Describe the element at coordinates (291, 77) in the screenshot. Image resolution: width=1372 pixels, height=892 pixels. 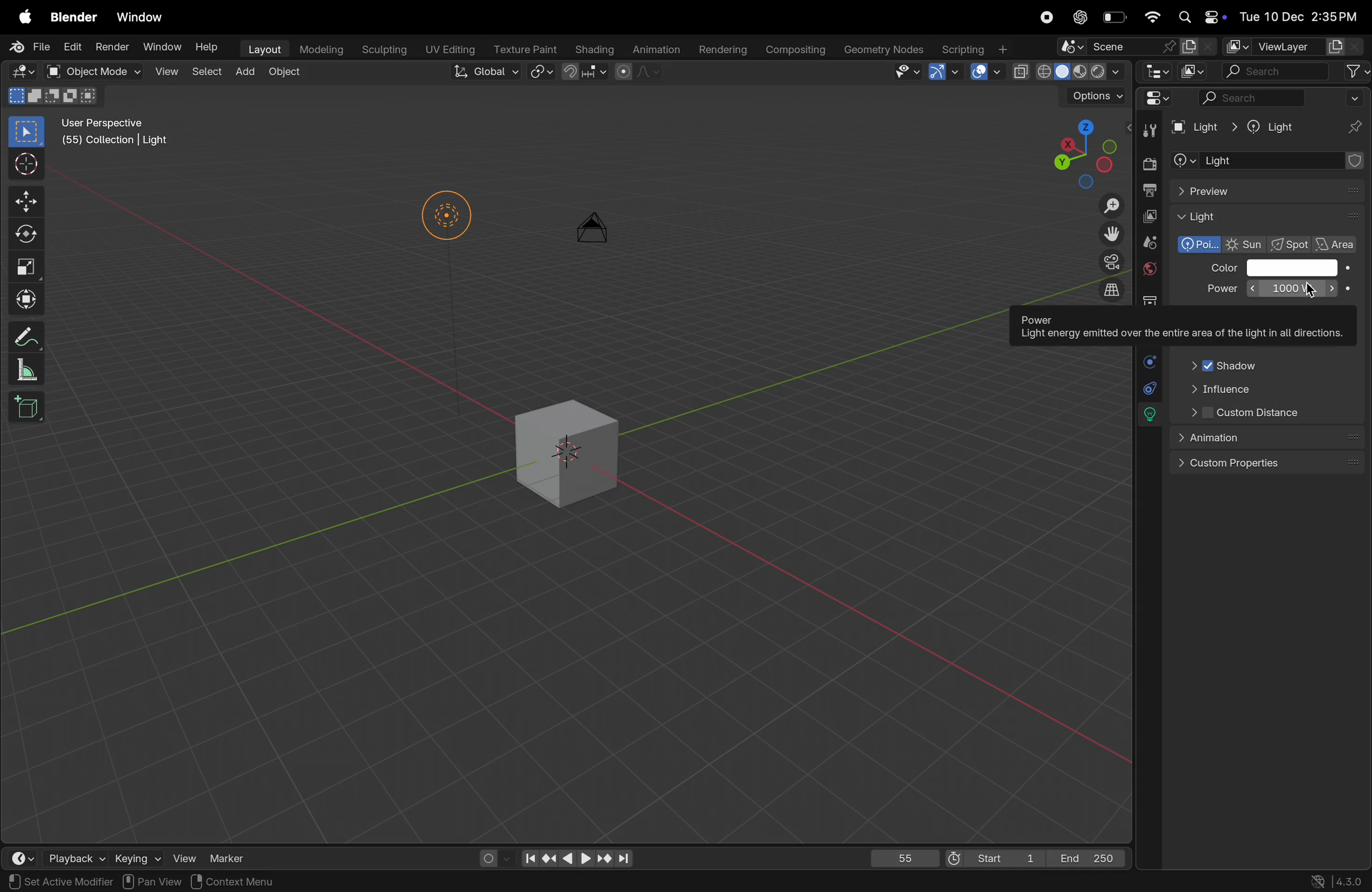
I see `object` at that location.